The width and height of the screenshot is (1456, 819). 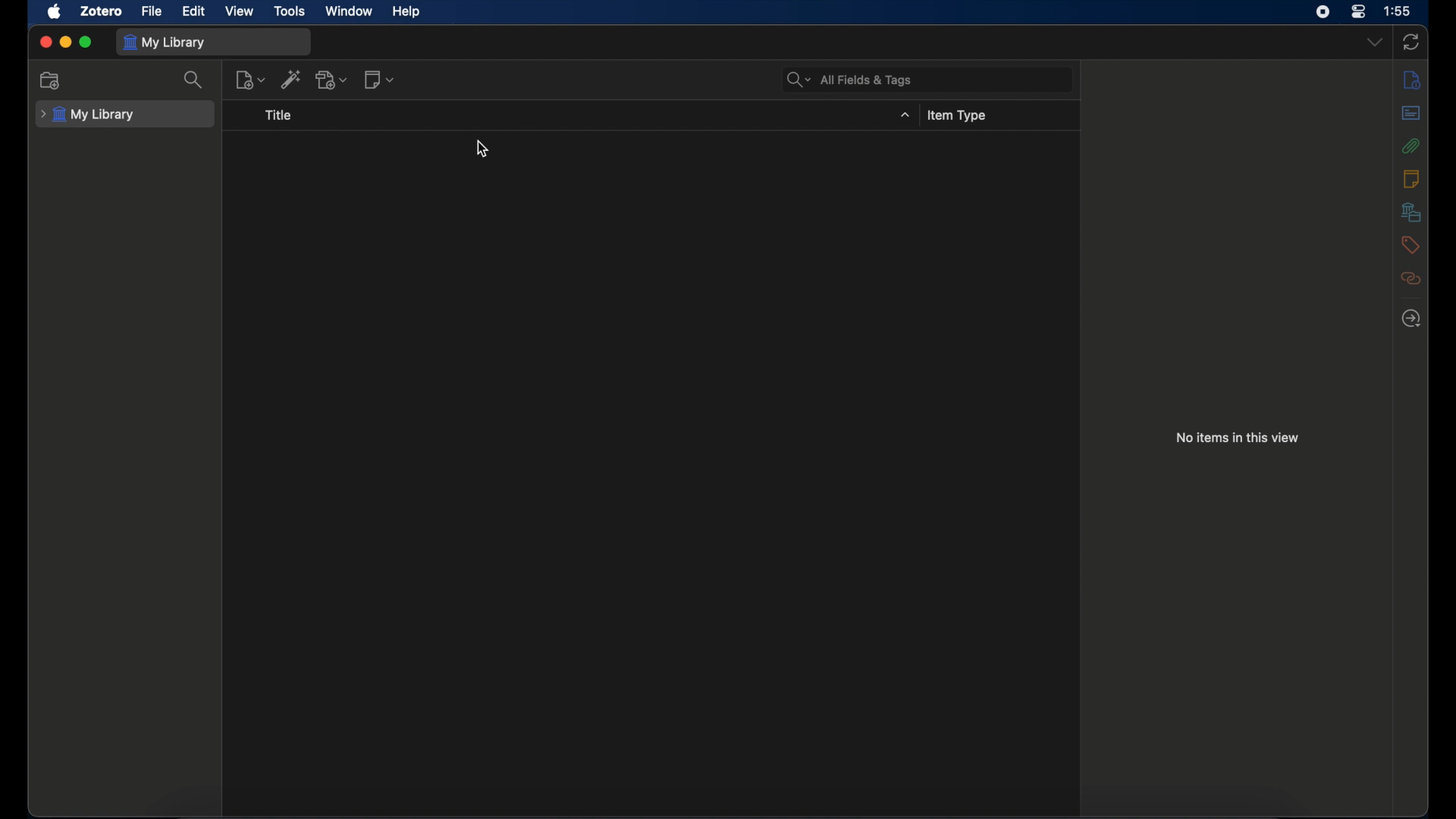 I want to click on no items in this view, so click(x=1237, y=438).